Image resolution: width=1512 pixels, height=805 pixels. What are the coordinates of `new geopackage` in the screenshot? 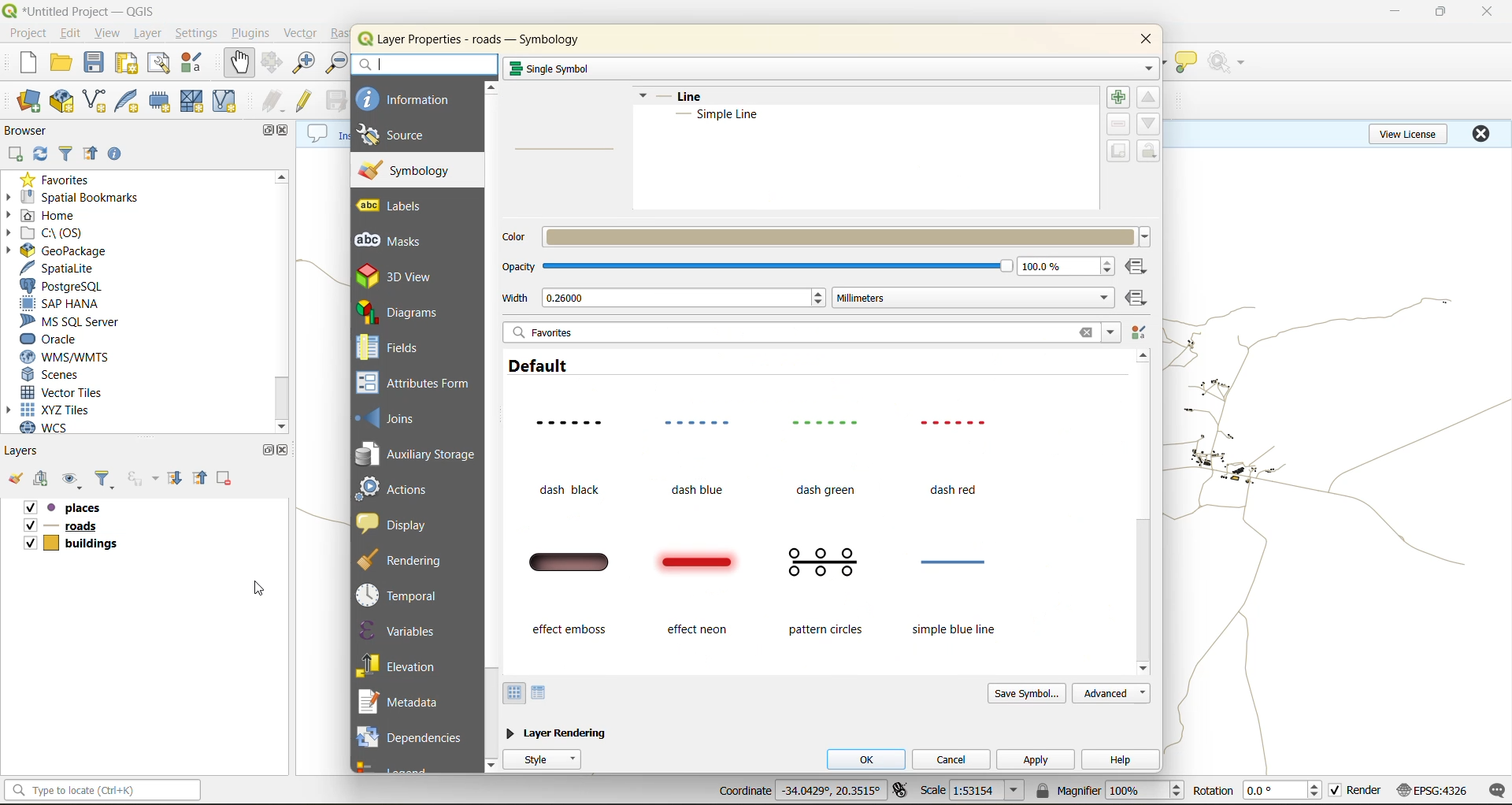 It's located at (62, 101).